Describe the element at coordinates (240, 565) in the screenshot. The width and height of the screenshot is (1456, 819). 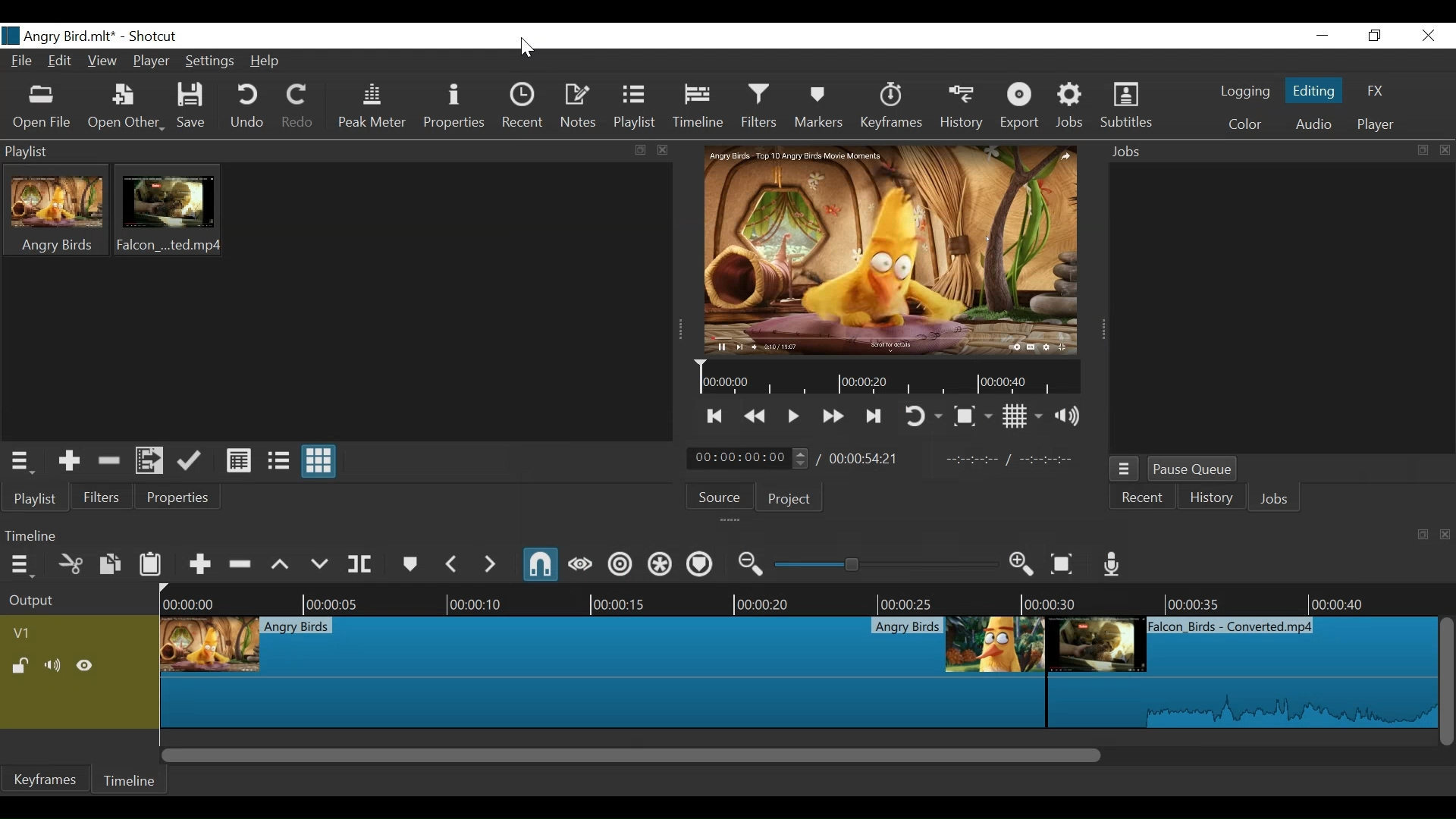
I see `Ripple Delete` at that location.